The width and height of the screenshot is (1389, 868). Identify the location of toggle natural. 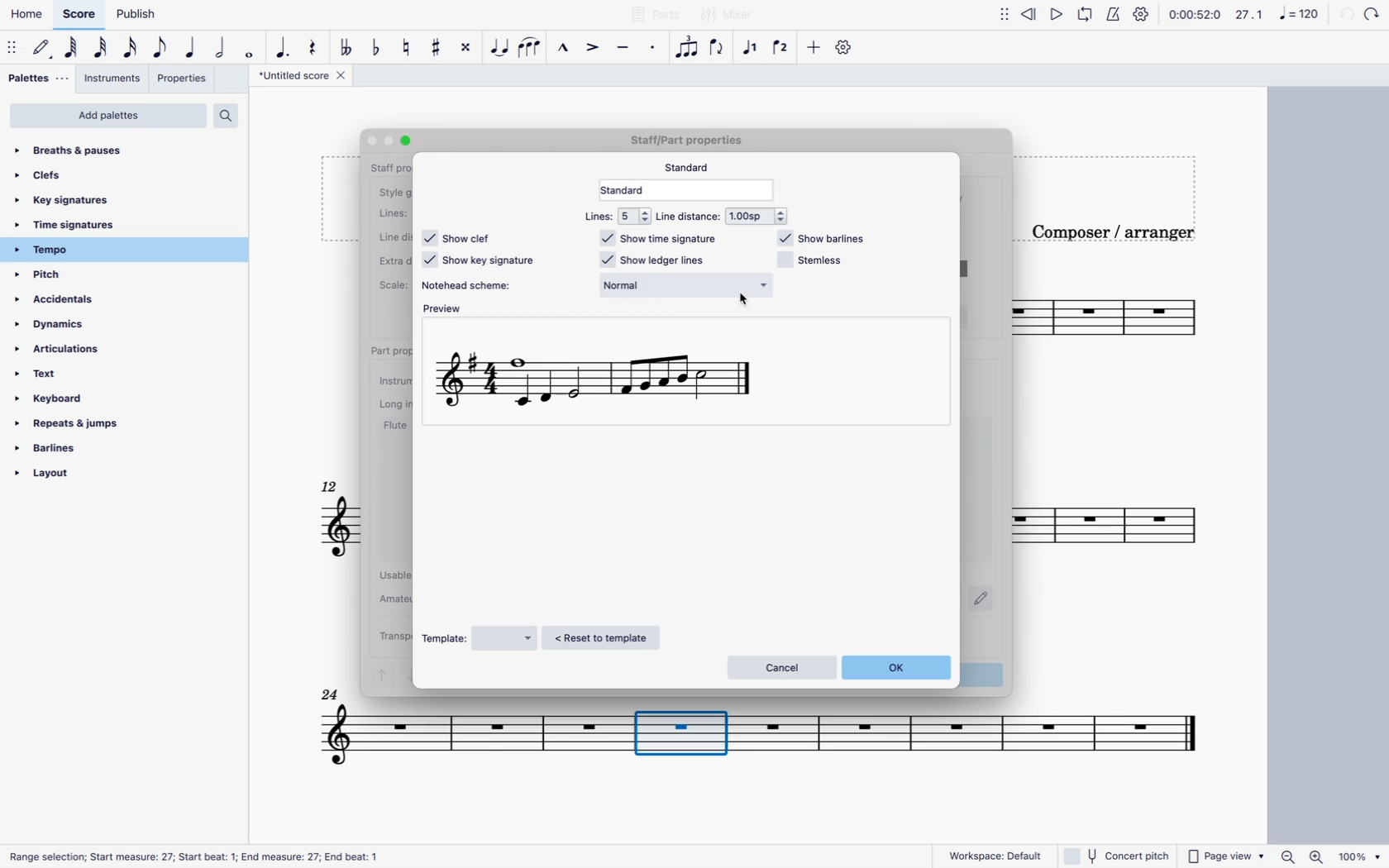
(408, 48).